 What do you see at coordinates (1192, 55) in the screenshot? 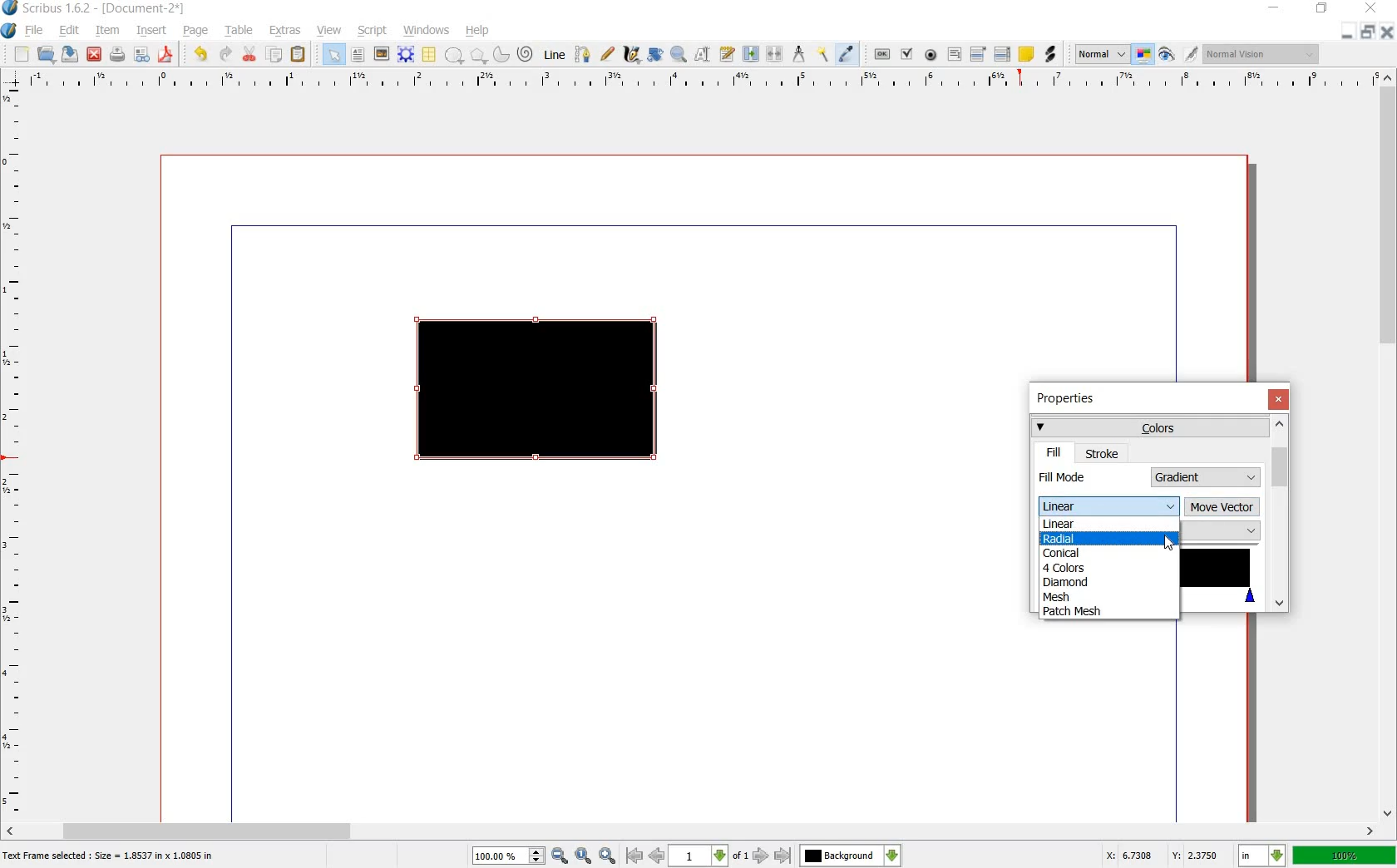
I see `edit in preview mode` at bounding box center [1192, 55].